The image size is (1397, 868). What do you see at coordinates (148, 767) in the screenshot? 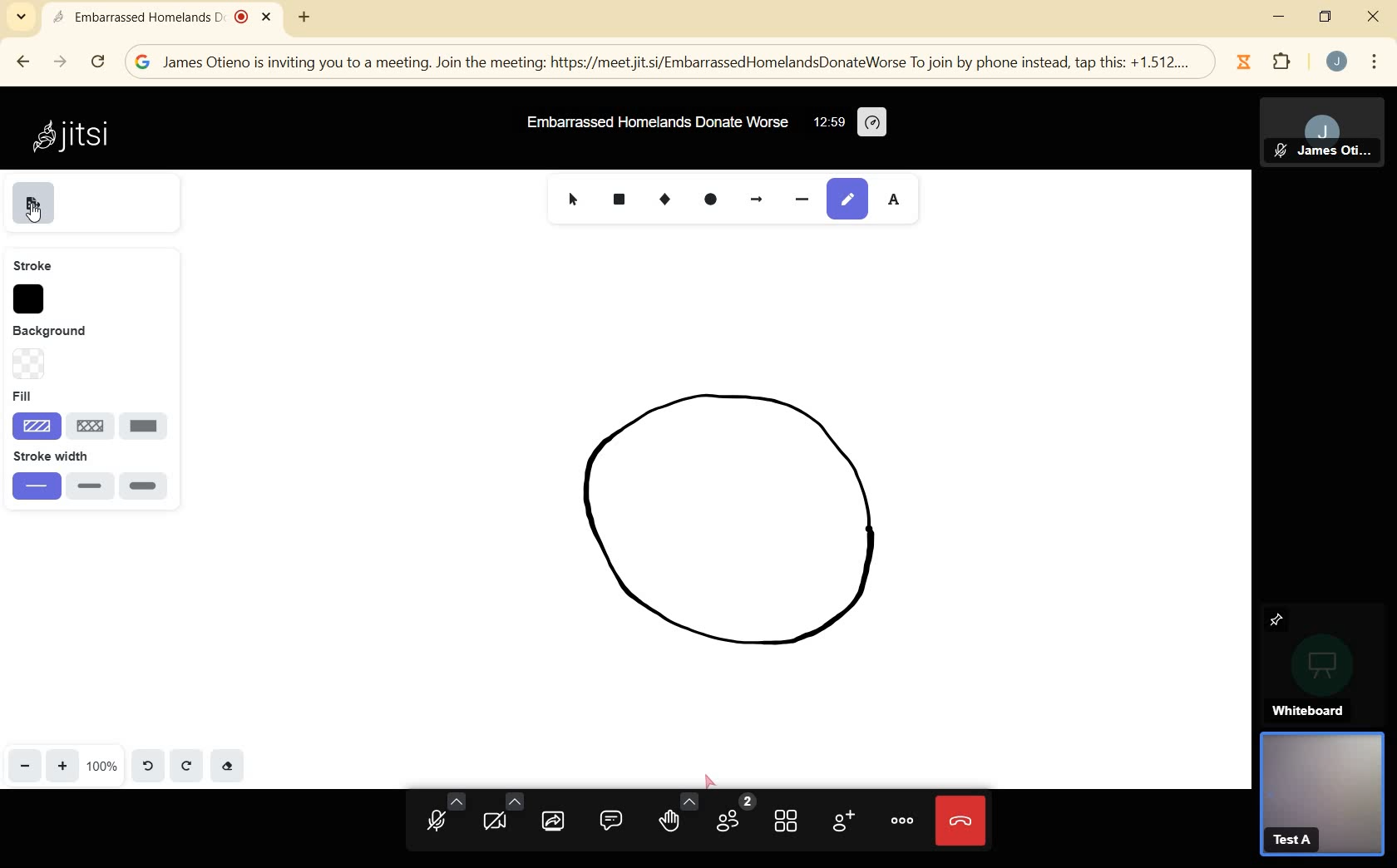
I see `undo` at bounding box center [148, 767].